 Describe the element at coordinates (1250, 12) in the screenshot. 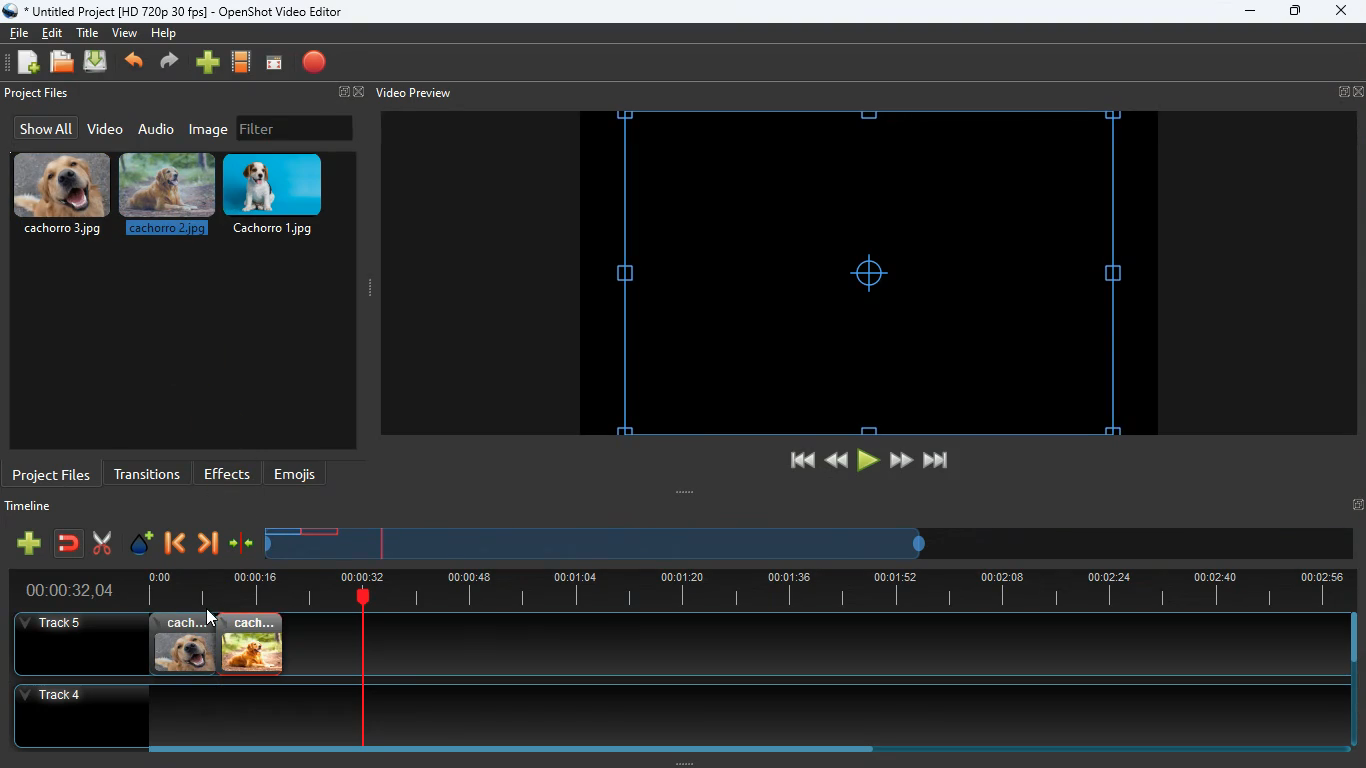

I see `minimize` at that location.